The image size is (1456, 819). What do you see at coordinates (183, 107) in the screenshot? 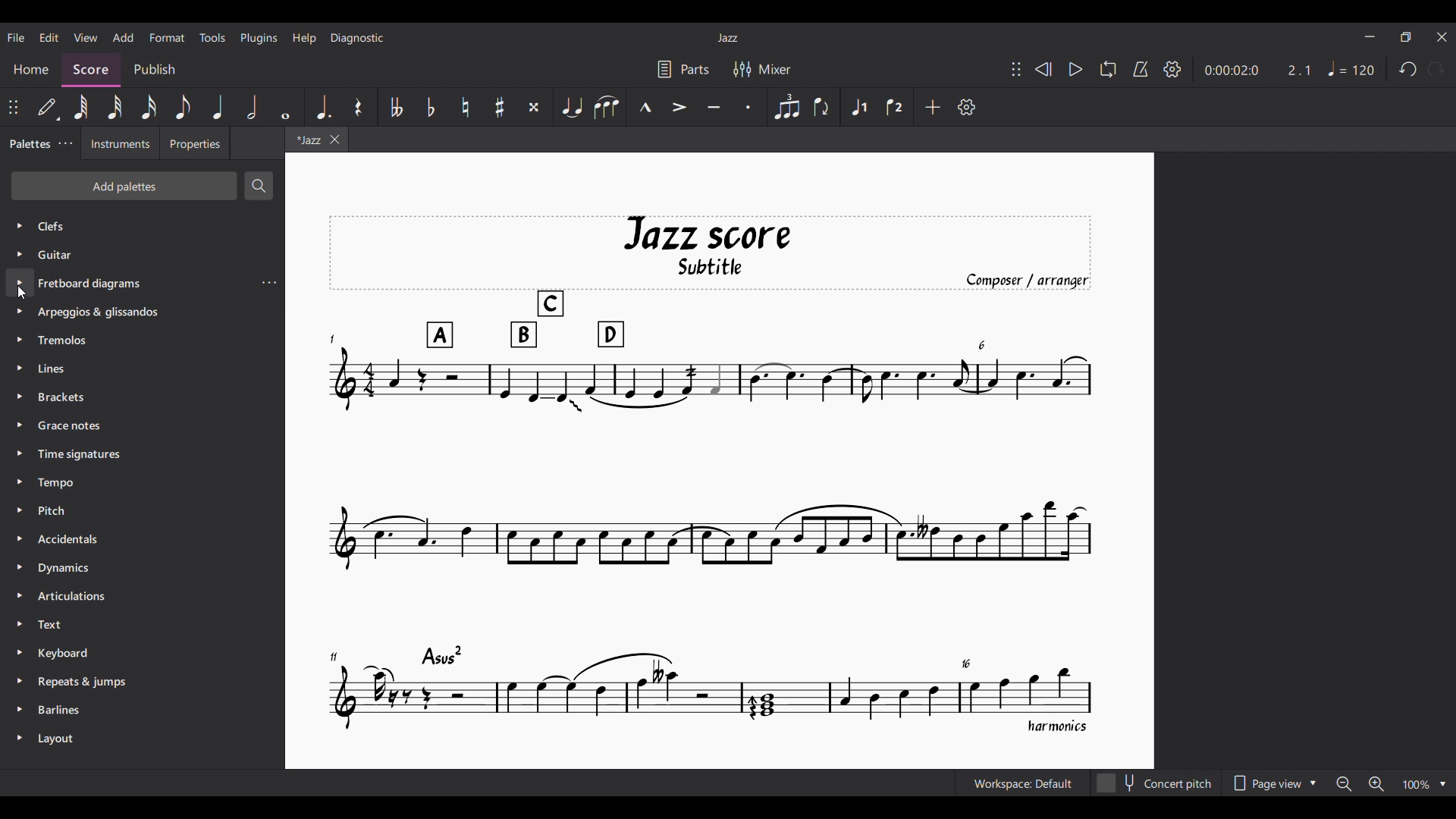
I see `8th note` at bounding box center [183, 107].